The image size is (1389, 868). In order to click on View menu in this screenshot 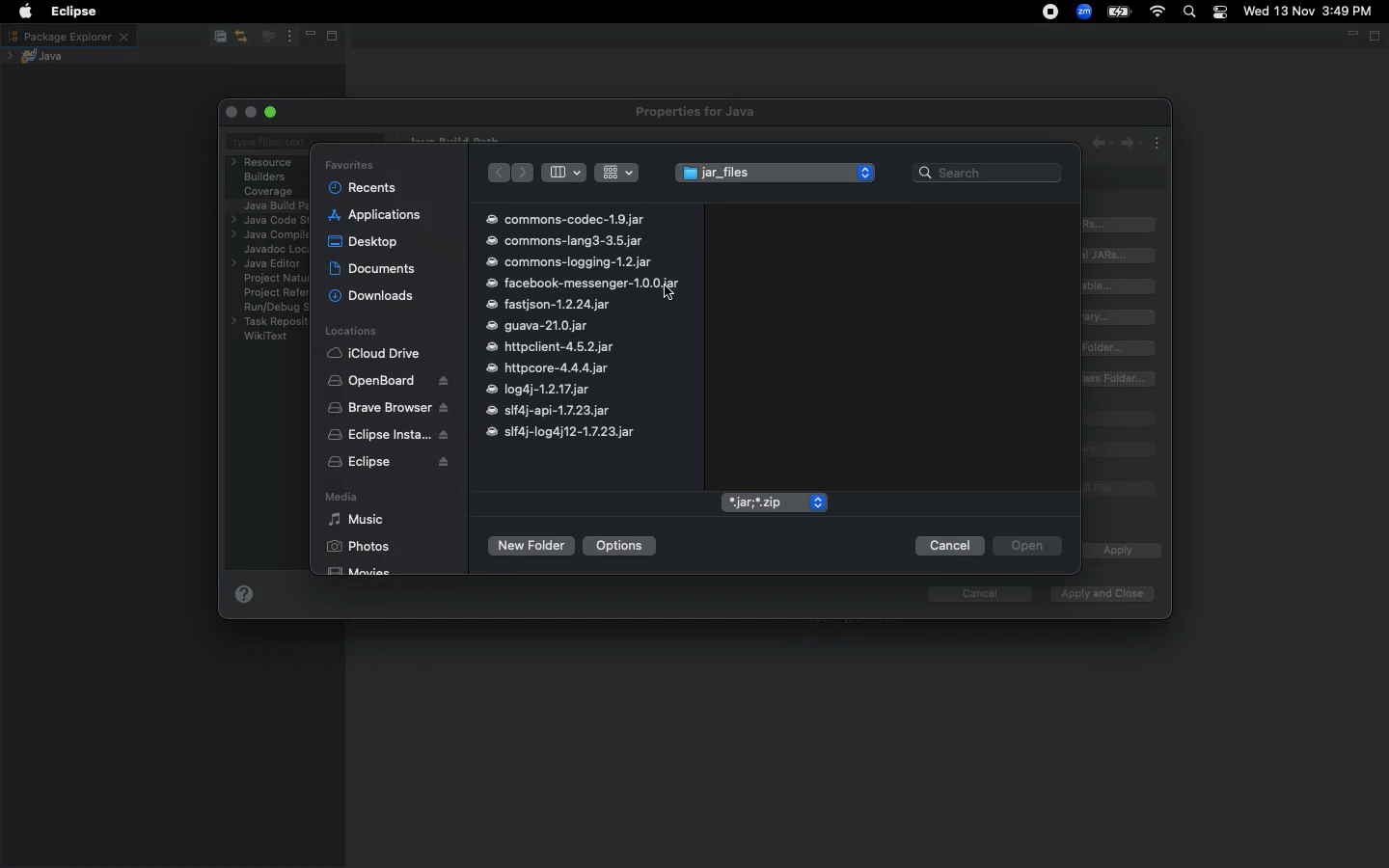, I will do `click(287, 37)`.